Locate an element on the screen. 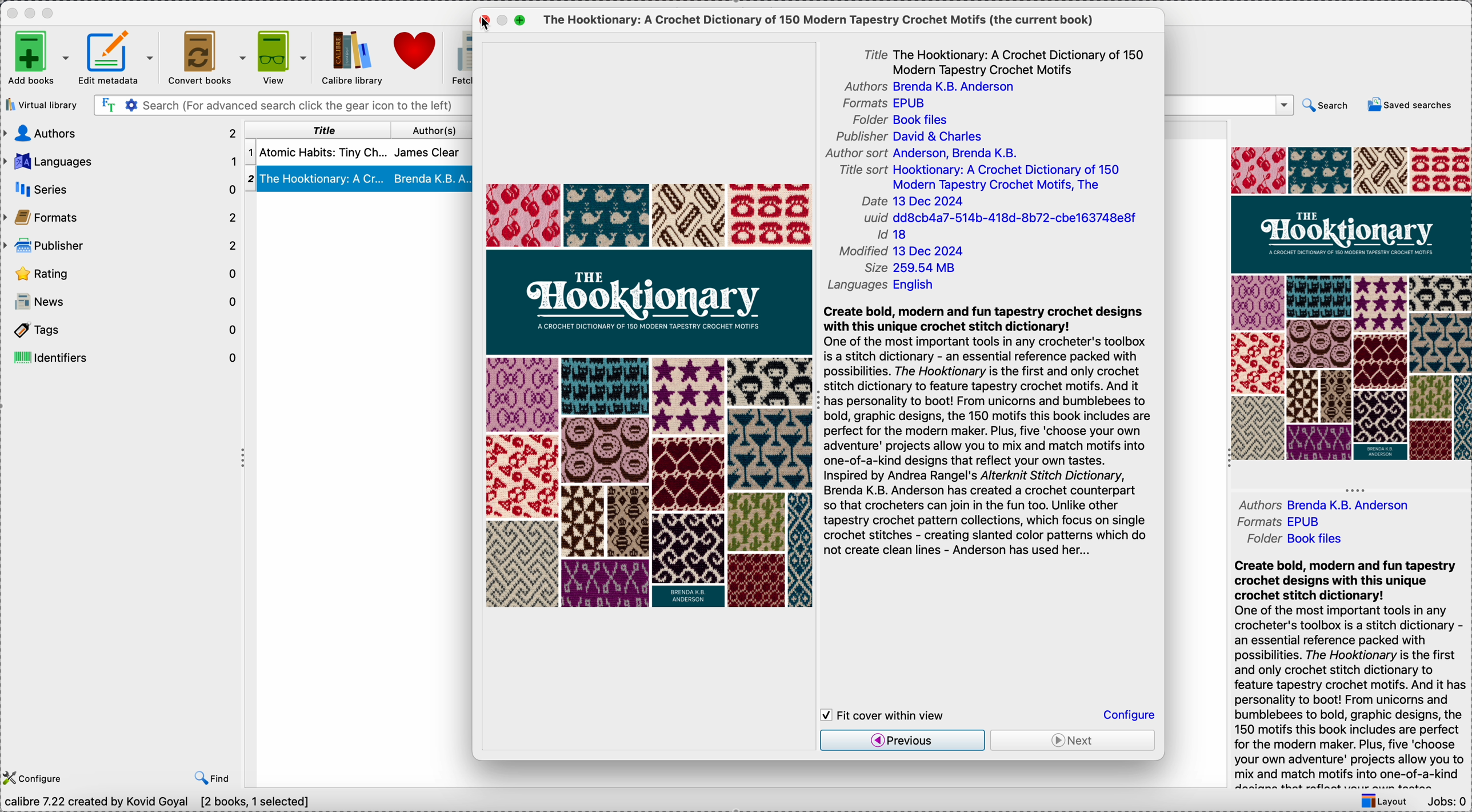 The width and height of the screenshot is (1472, 812). date 13 dec 2024 is located at coordinates (915, 202).